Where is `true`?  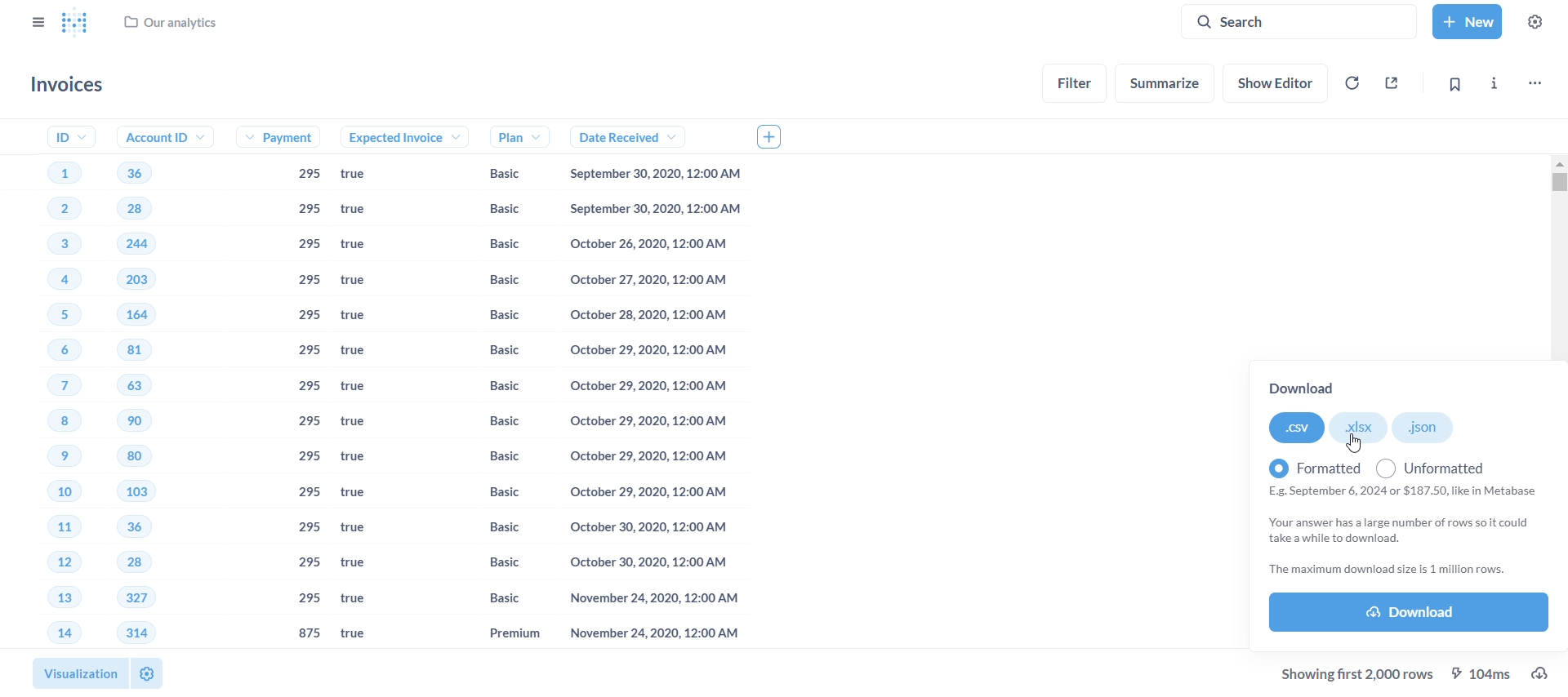
true is located at coordinates (359, 563).